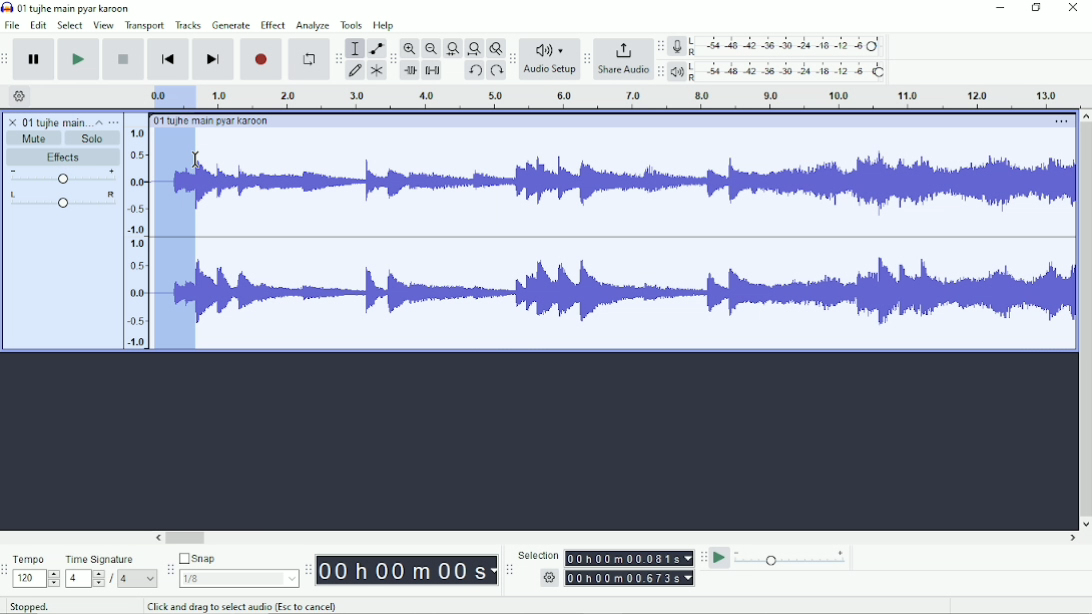  What do you see at coordinates (779, 71) in the screenshot?
I see `Playback Meter` at bounding box center [779, 71].